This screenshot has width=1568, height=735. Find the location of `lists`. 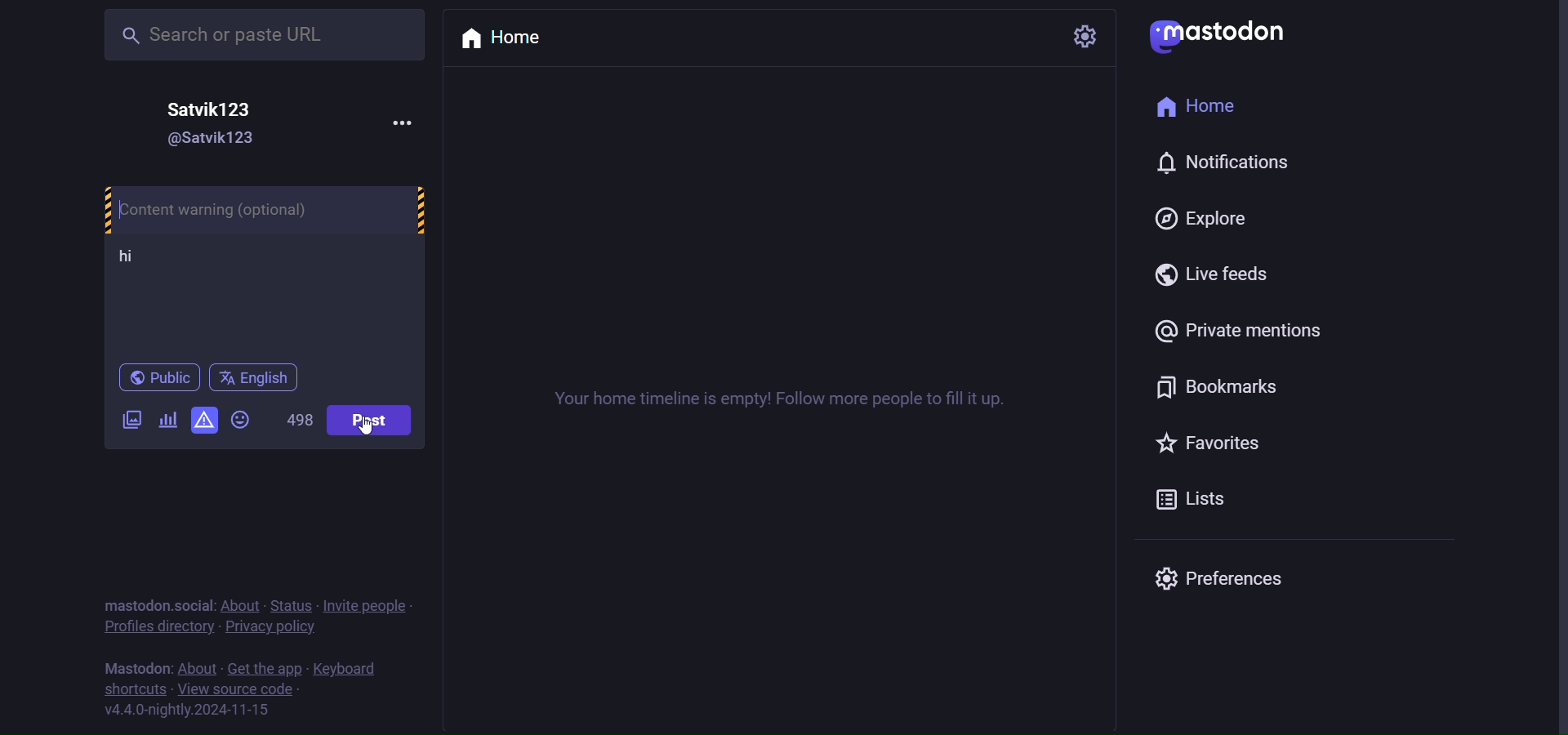

lists is located at coordinates (1205, 503).